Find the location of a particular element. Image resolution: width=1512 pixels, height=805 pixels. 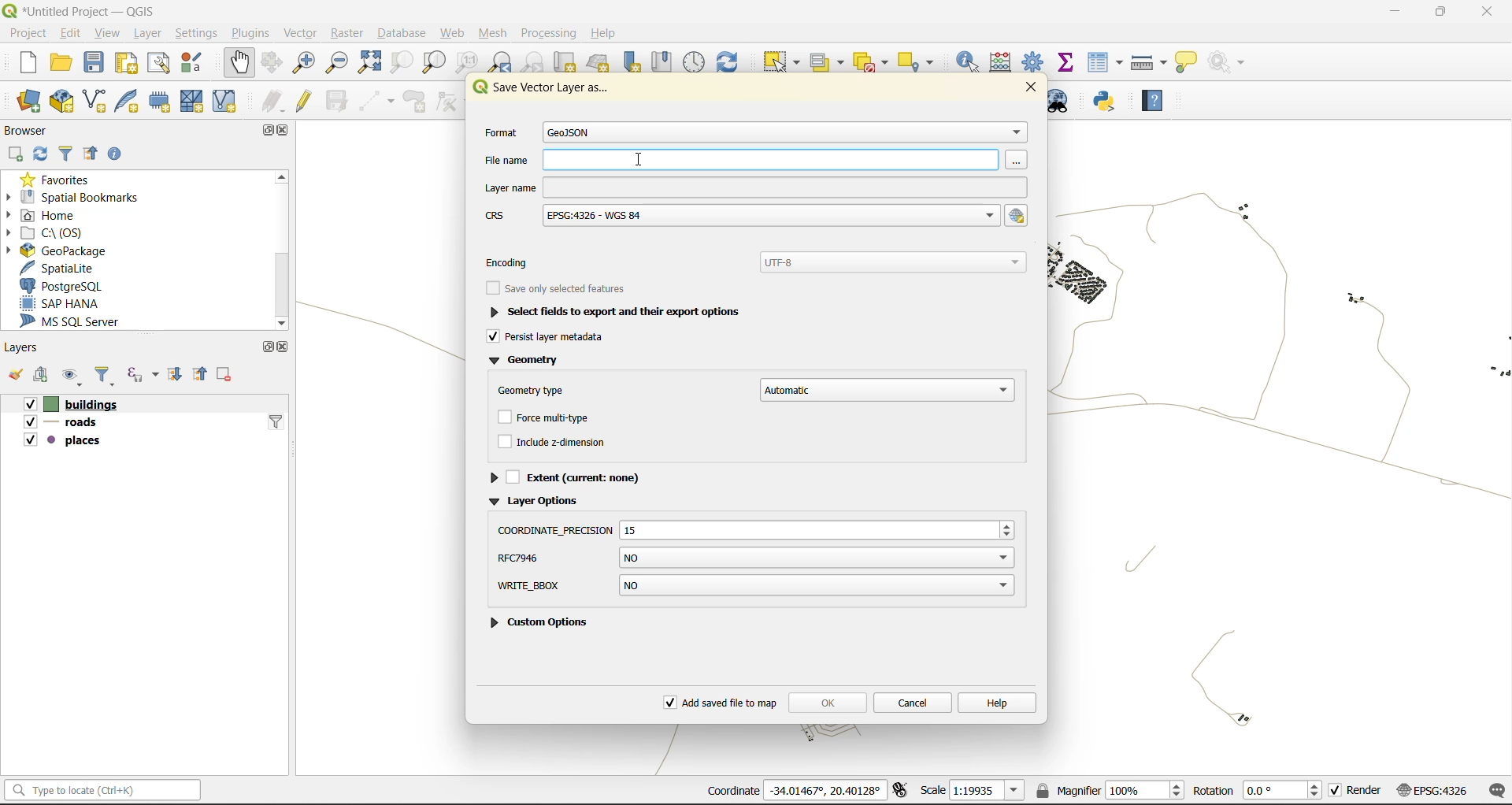

see only selected features is located at coordinates (561, 286).